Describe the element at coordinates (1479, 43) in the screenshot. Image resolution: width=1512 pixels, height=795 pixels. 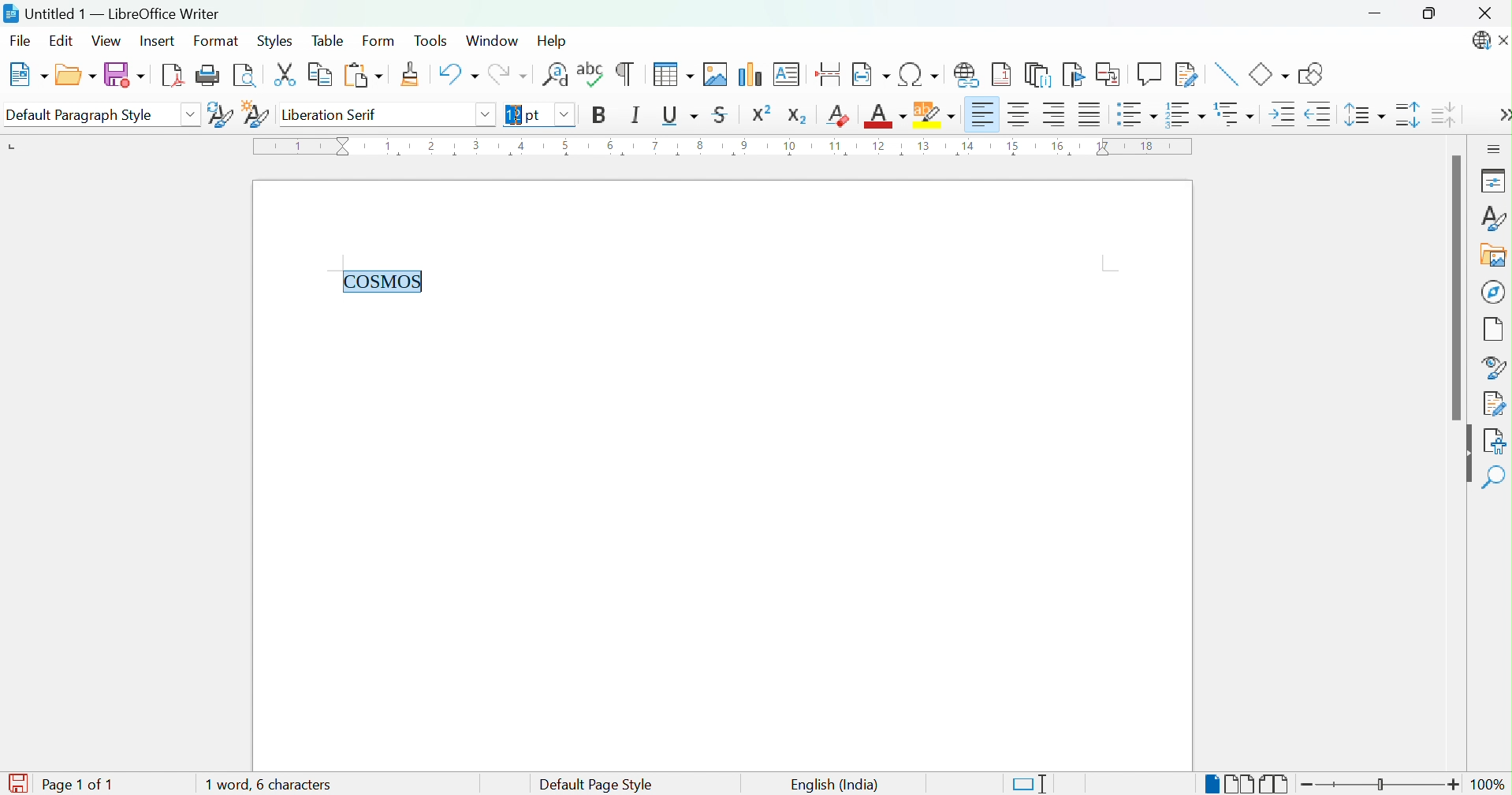
I see `LibreOffice Update Available` at that location.